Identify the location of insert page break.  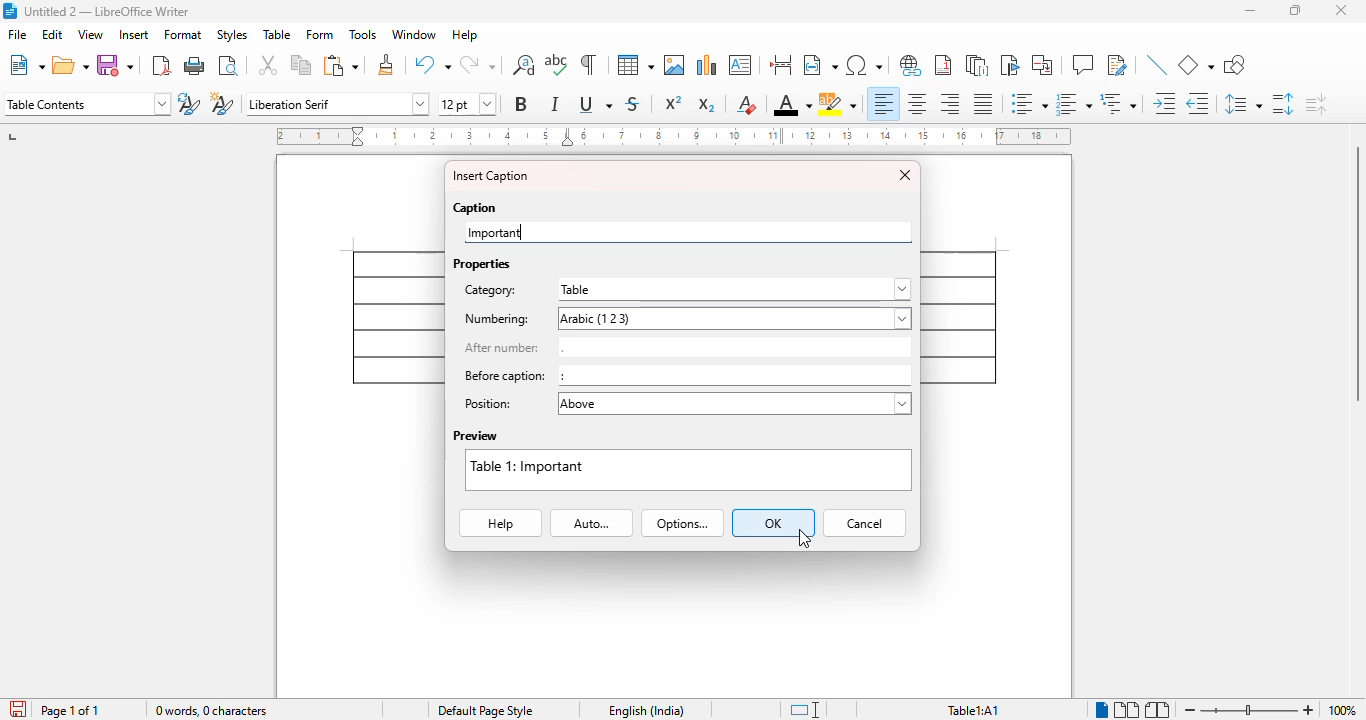
(780, 64).